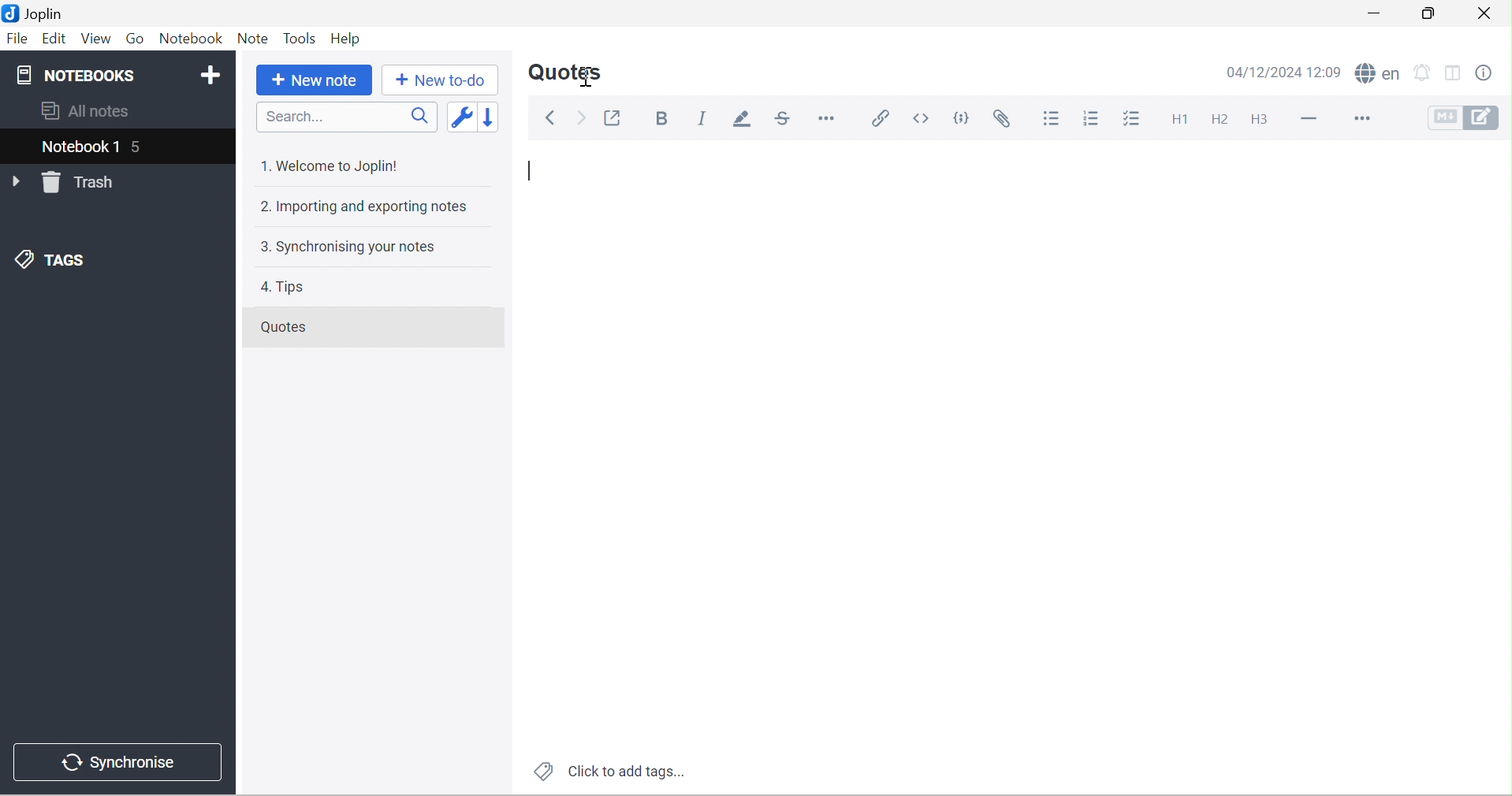  What do you see at coordinates (54, 259) in the screenshot?
I see `TAGS` at bounding box center [54, 259].